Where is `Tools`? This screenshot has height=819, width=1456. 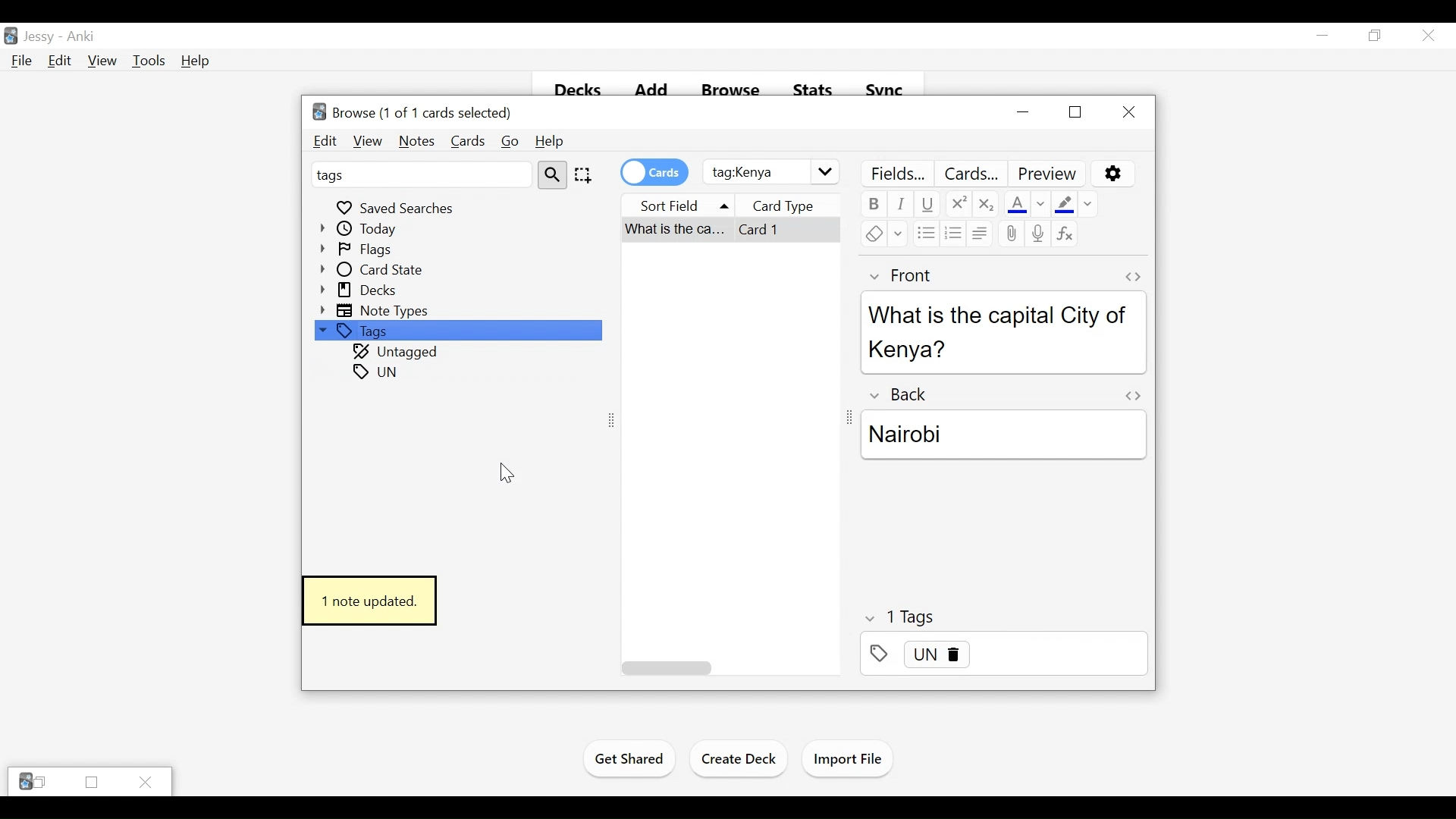 Tools is located at coordinates (149, 61).